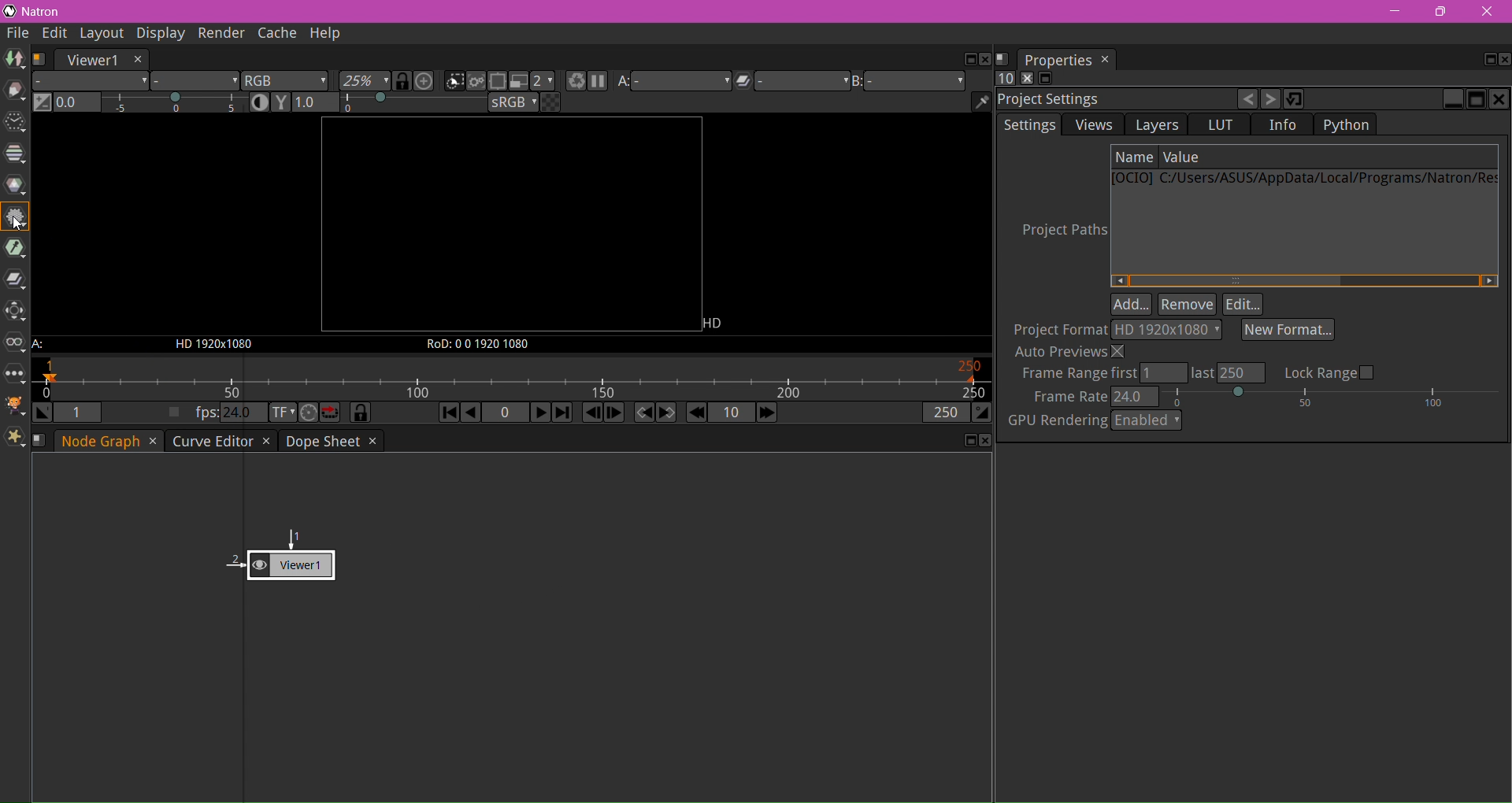  What do you see at coordinates (16, 439) in the screenshot?
I see `Extra` at bounding box center [16, 439].